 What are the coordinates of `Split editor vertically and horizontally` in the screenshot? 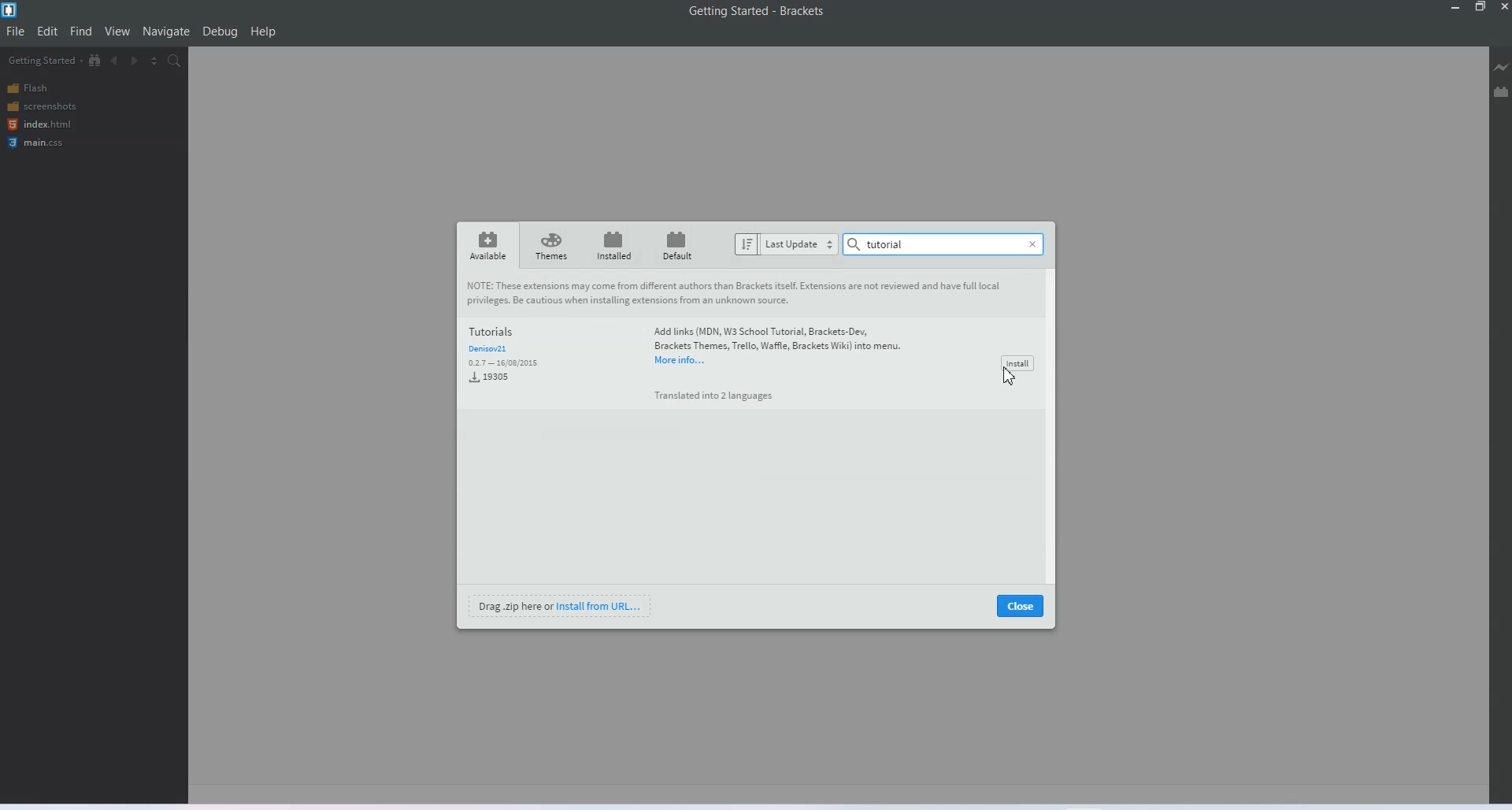 It's located at (155, 61).